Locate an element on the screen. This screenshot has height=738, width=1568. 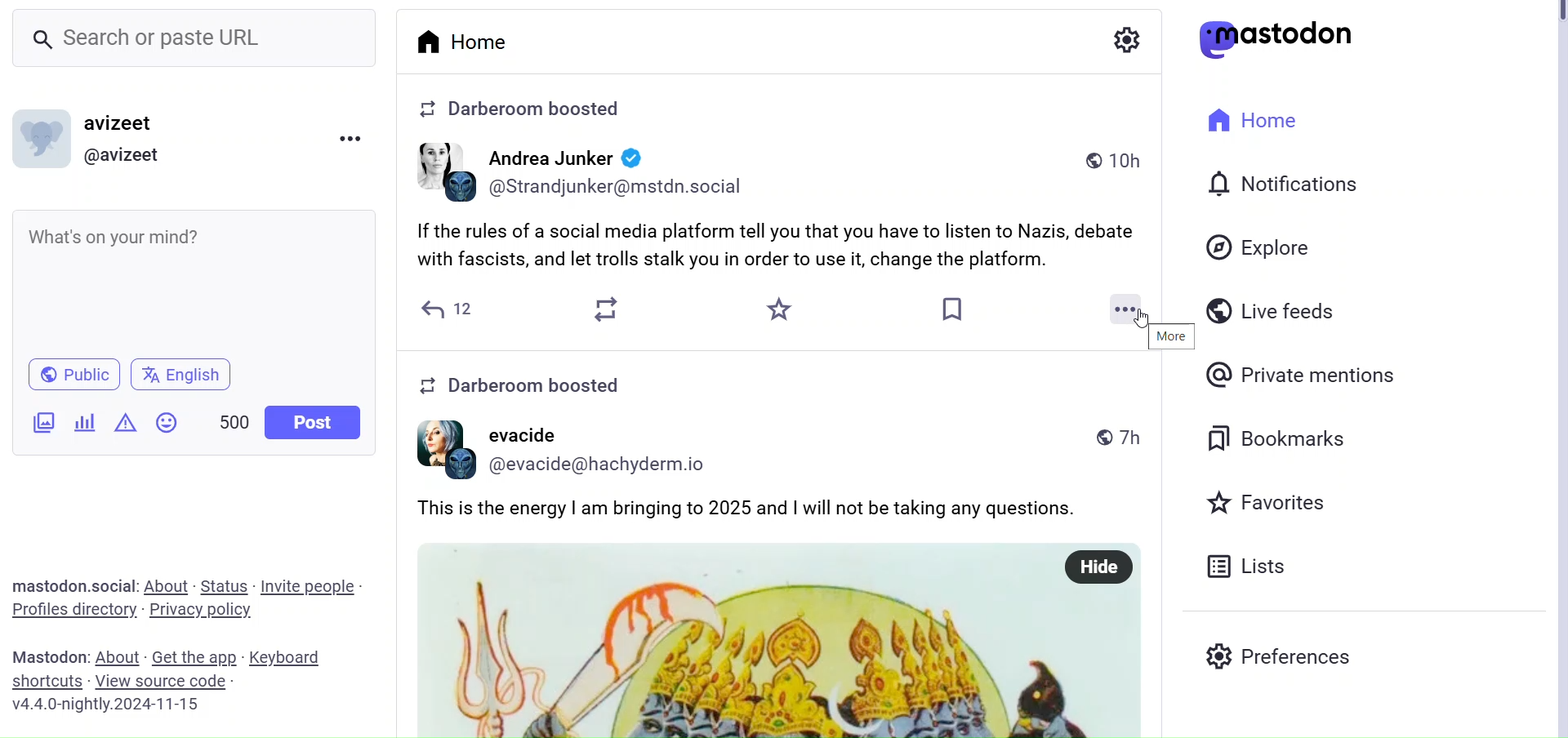
Lists is located at coordinates (1254, 563).